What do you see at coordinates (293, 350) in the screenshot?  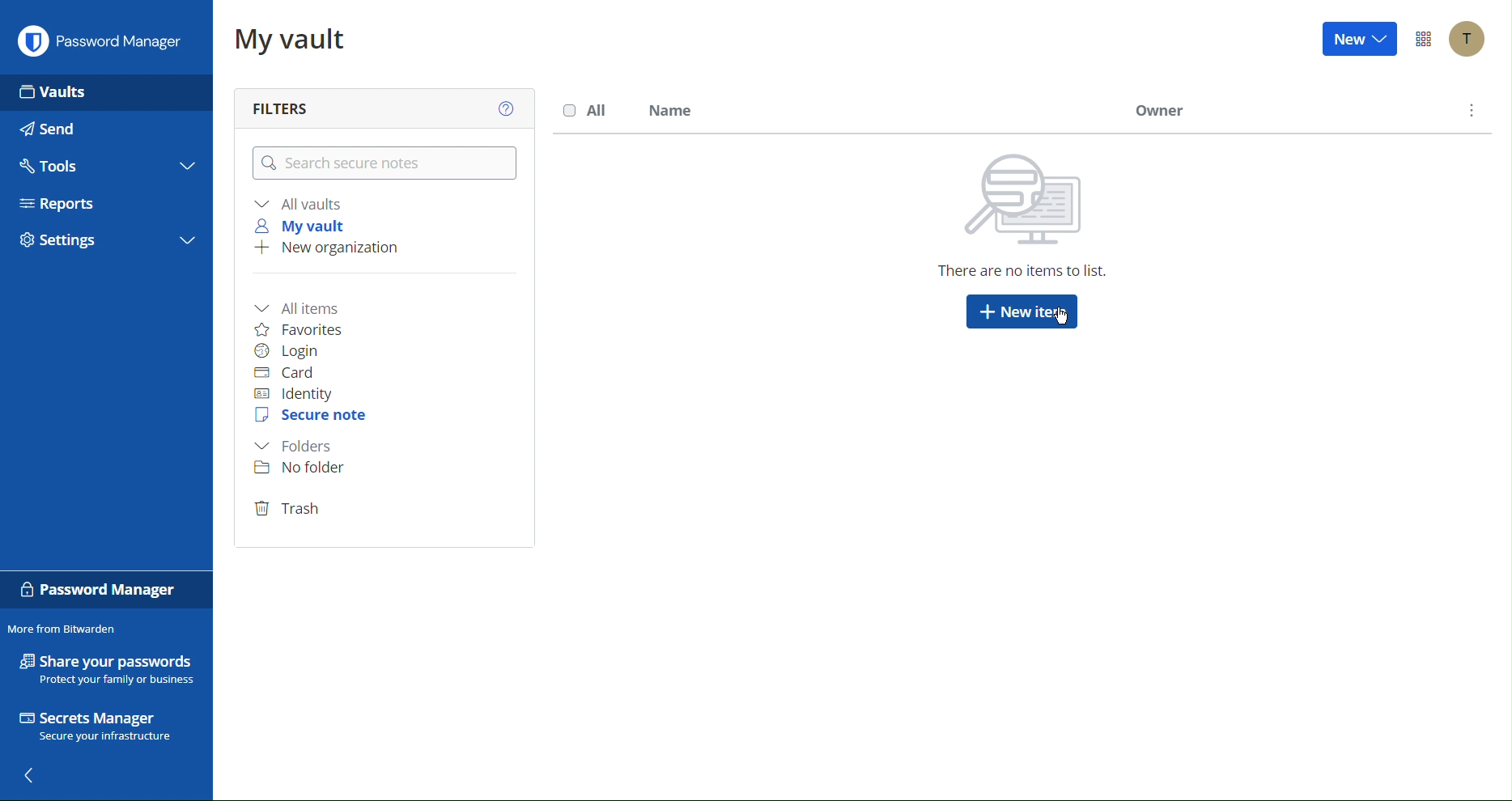 I see `Login` at bounding box center [293, 350].